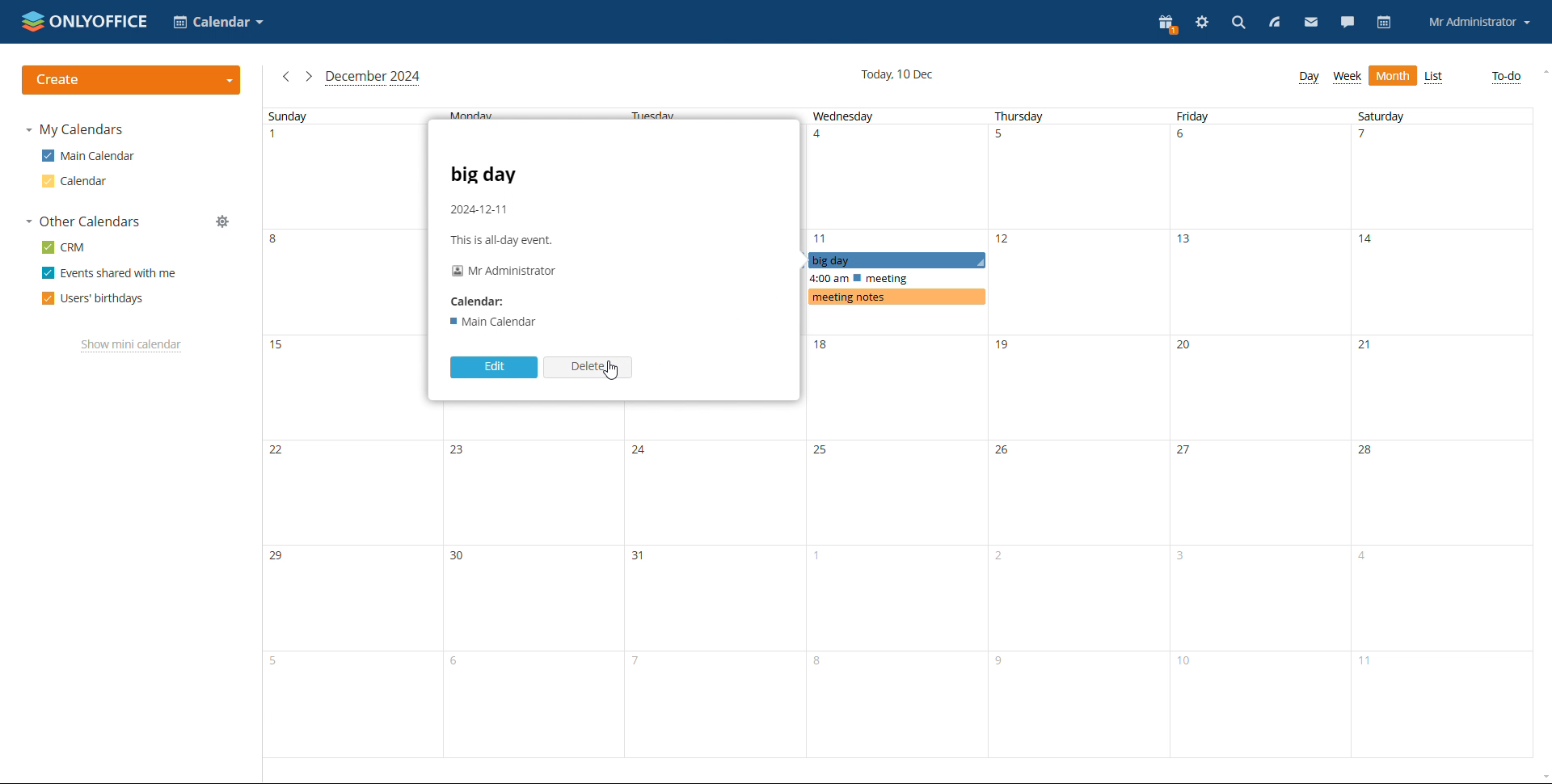 Image resolution: width=1552 pixels, height=784 pixels. Describe the element at coordinates (1309, 77) in the screenshot. I see `day view` at that location.